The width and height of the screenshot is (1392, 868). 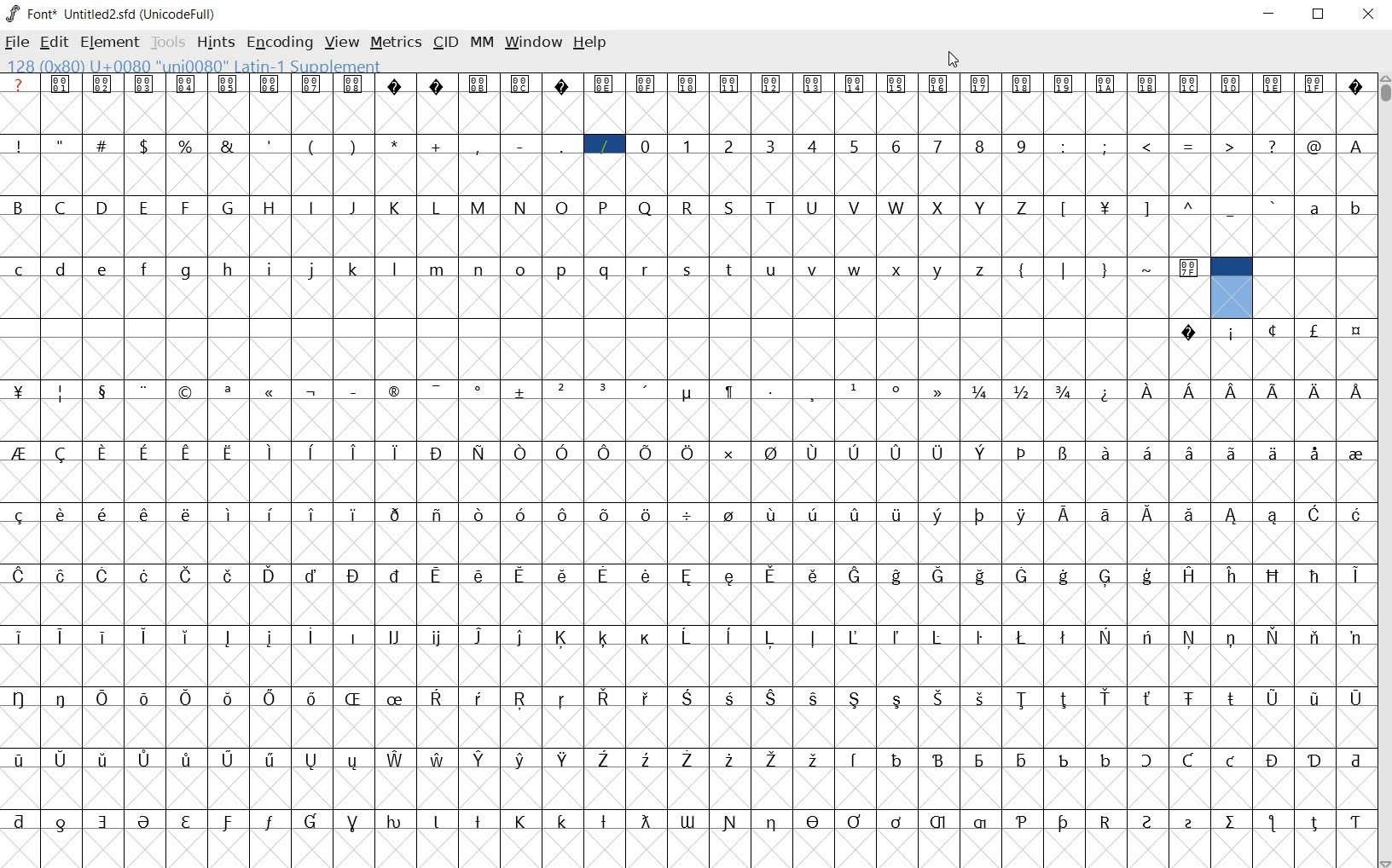 What do you see at coordinates (270, 83) in the screenshot?
I see `Symbol` at bounding box center [270, 83].